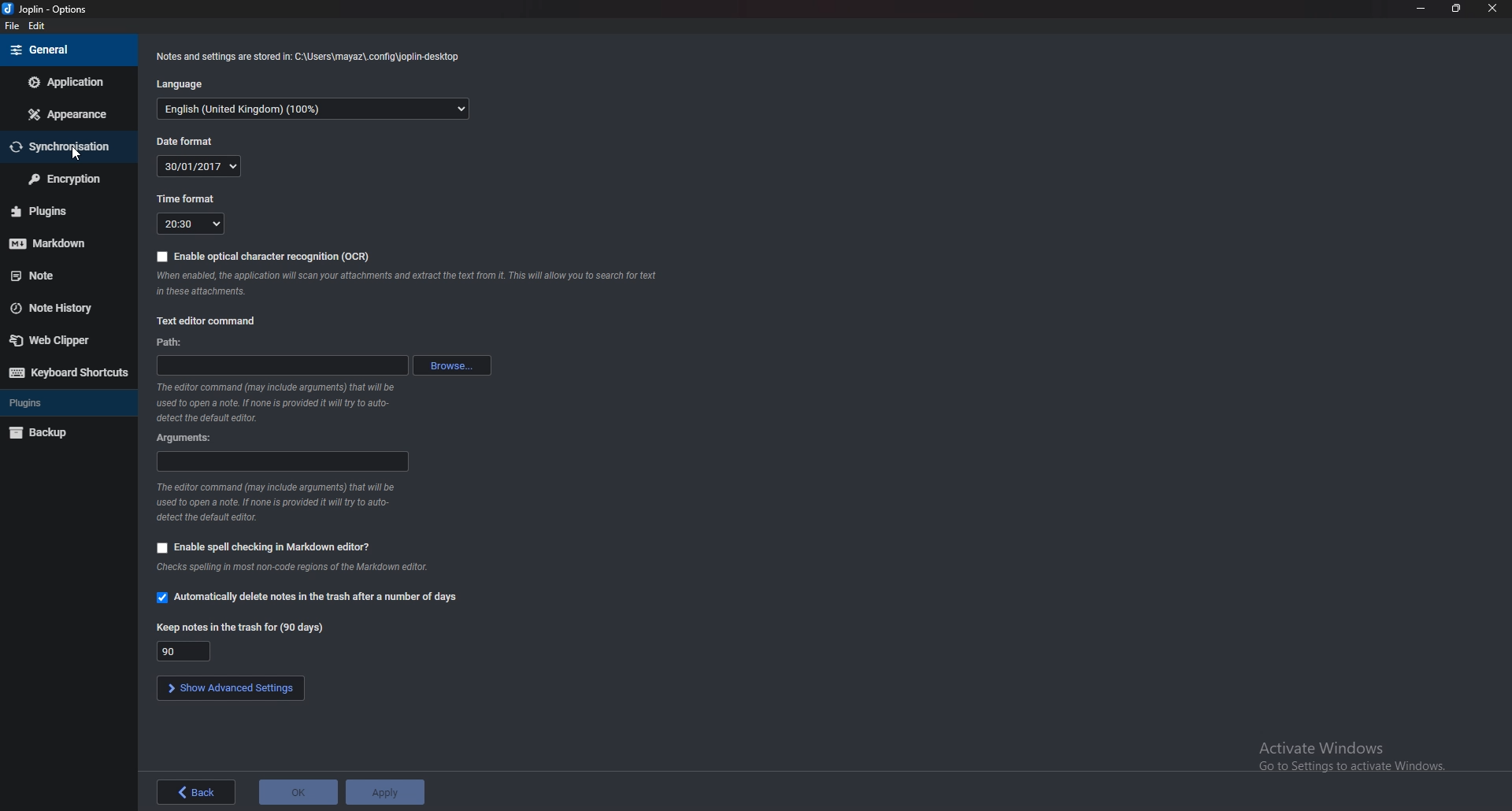 Image resolution: width=1512 pixels, height=811 pixels. I want to click on back, so click(199, 793).